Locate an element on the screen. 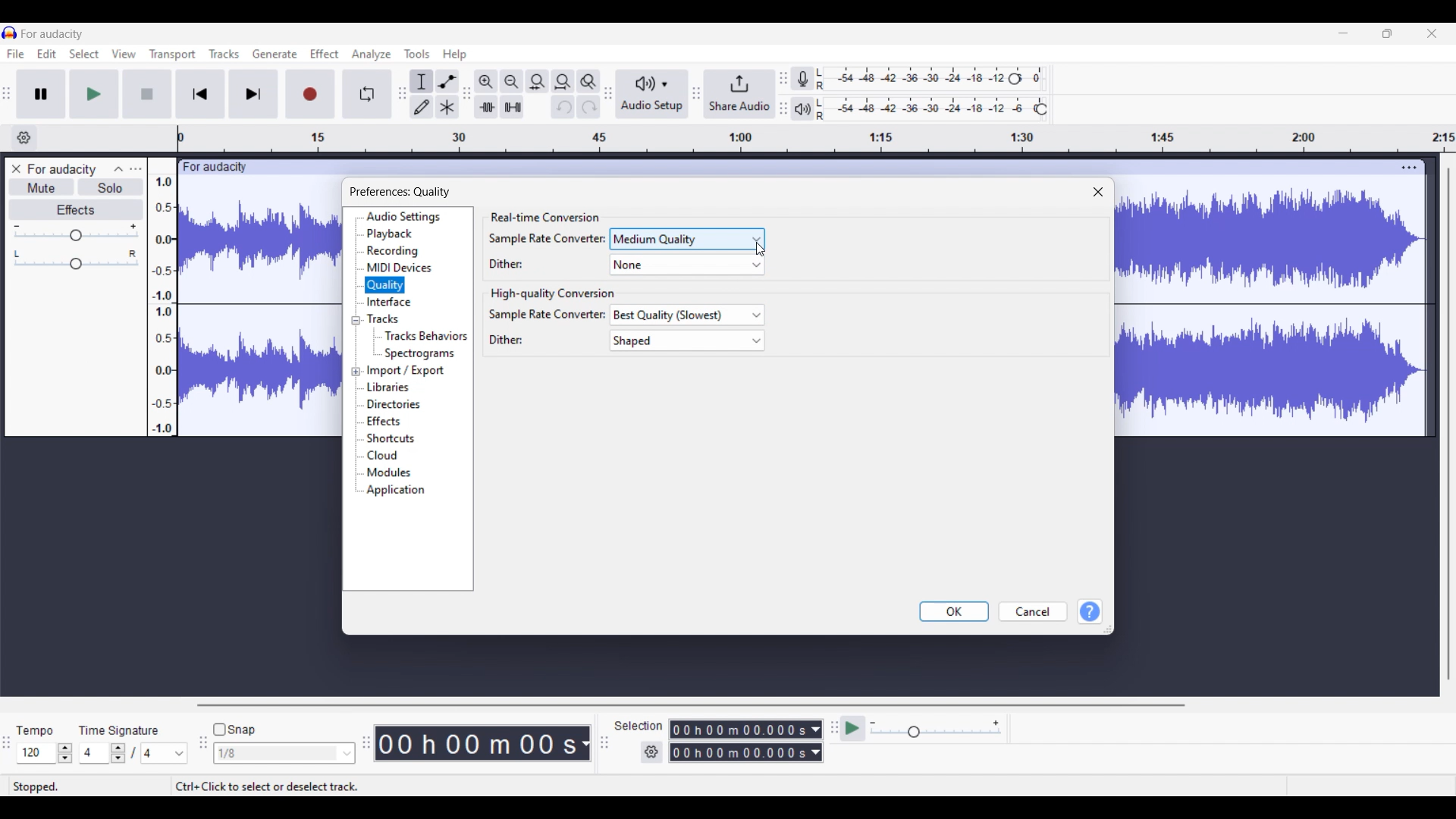 The width and height of the screenshot is (1456, 819). Share audio is located at coordinates (739, 94).